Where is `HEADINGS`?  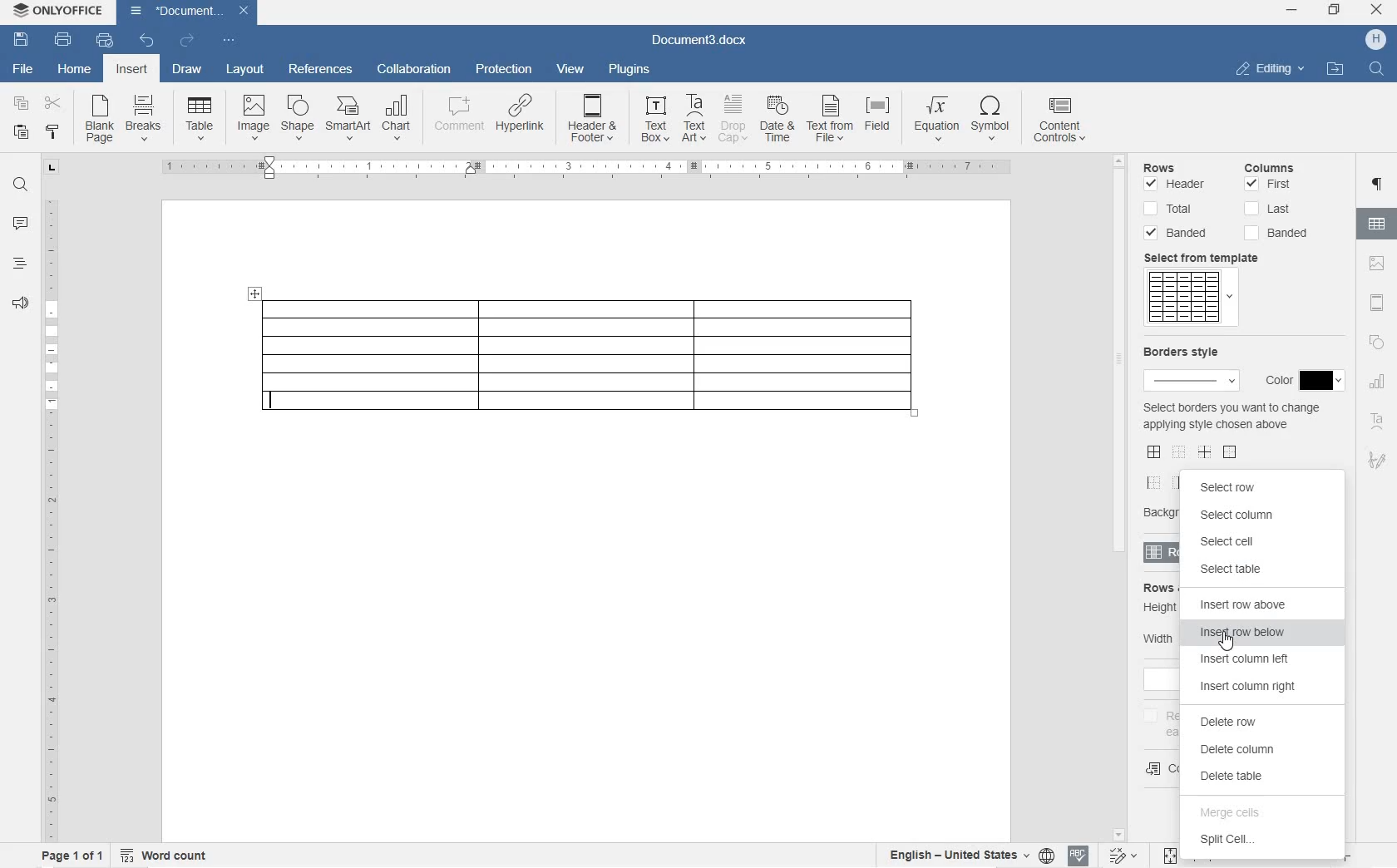 HEADINGS is located at coordinates (17, 264).